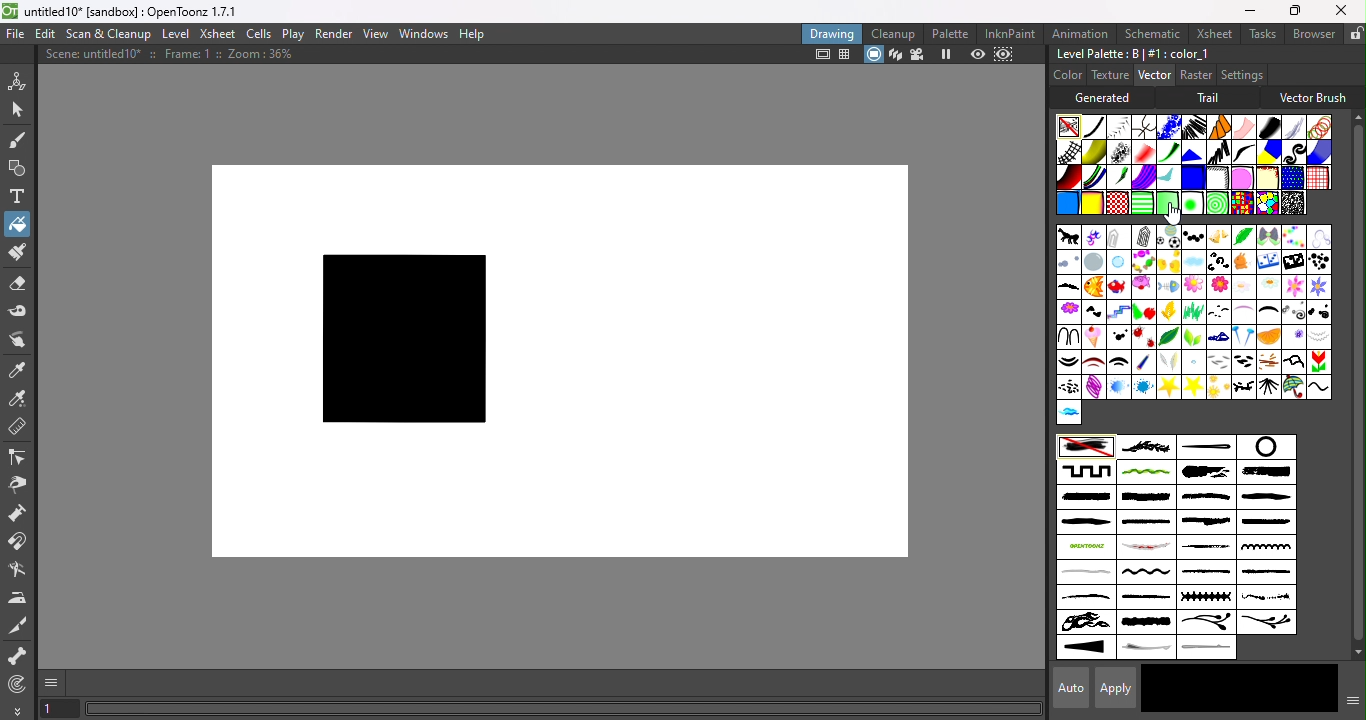  Describe the element at coordinates (1313, 33) in the screenshot. I see `Browser` at that location.